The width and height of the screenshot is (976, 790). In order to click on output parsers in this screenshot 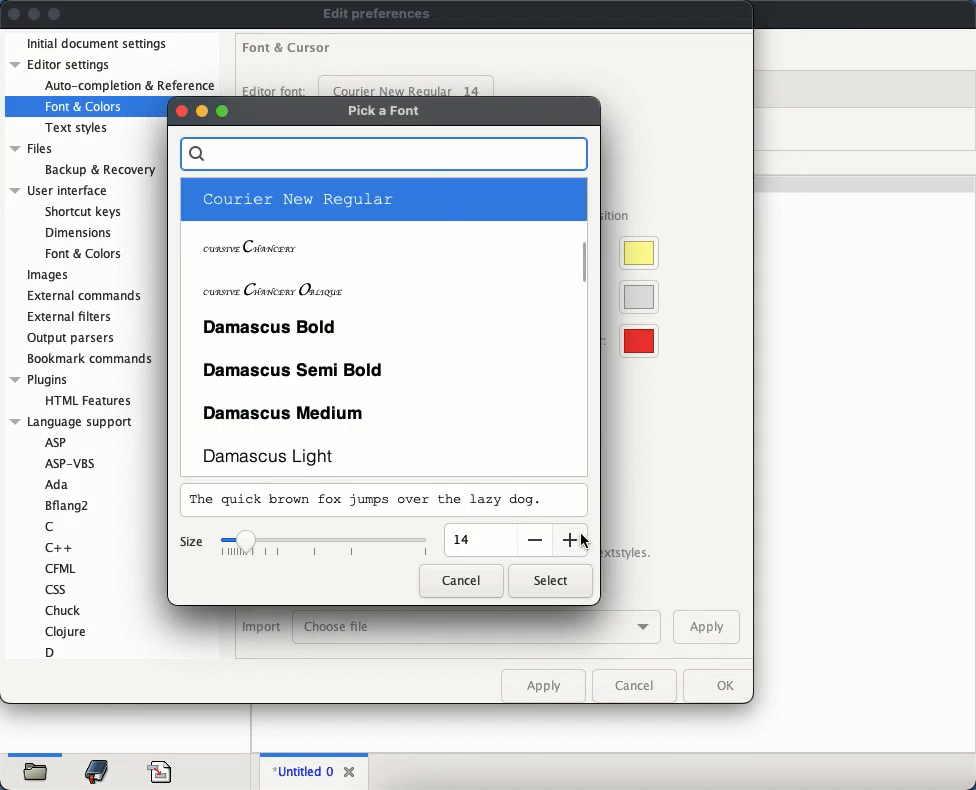, I will do `click(73, 338)`.